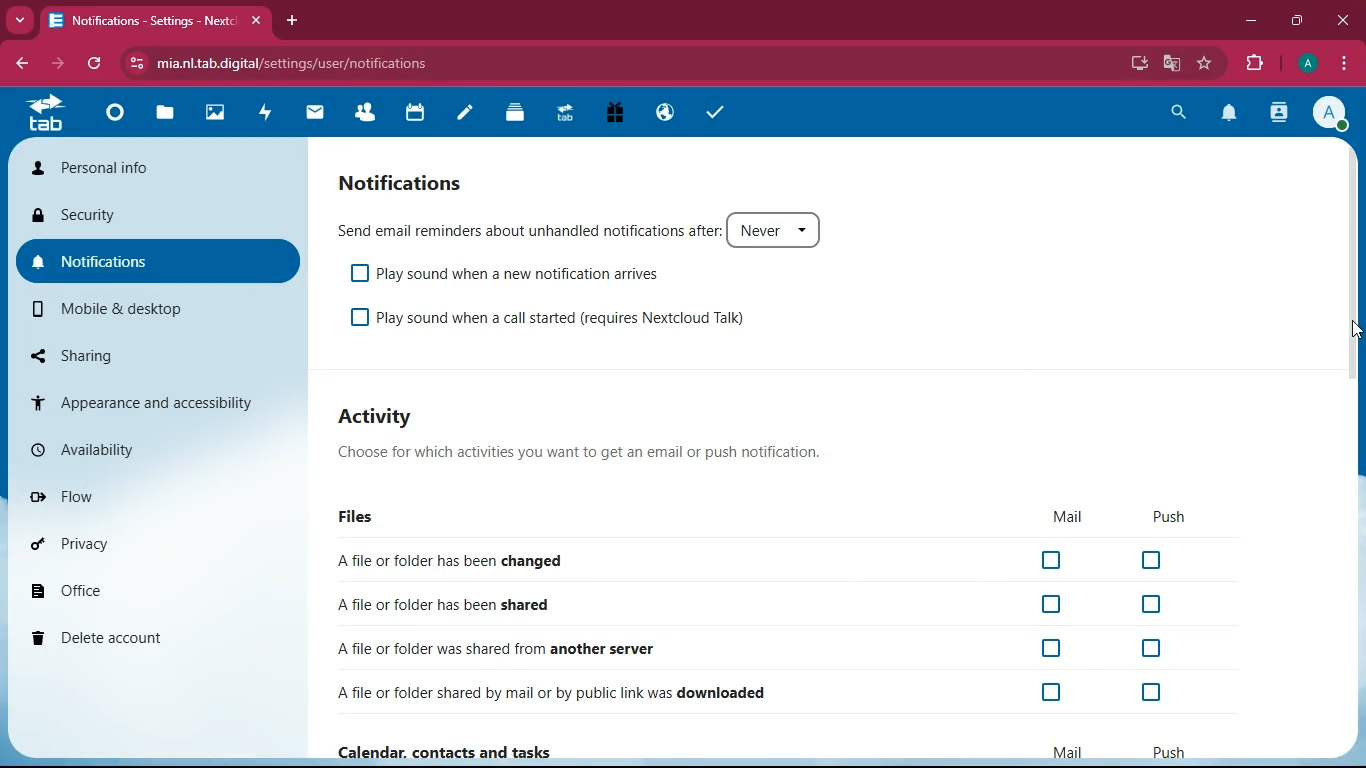 Image resolution: width=1366 pixels, height=768 pixels. Describe the element at coordinates (160, 219) in the screenshot. I see `security` at that location.